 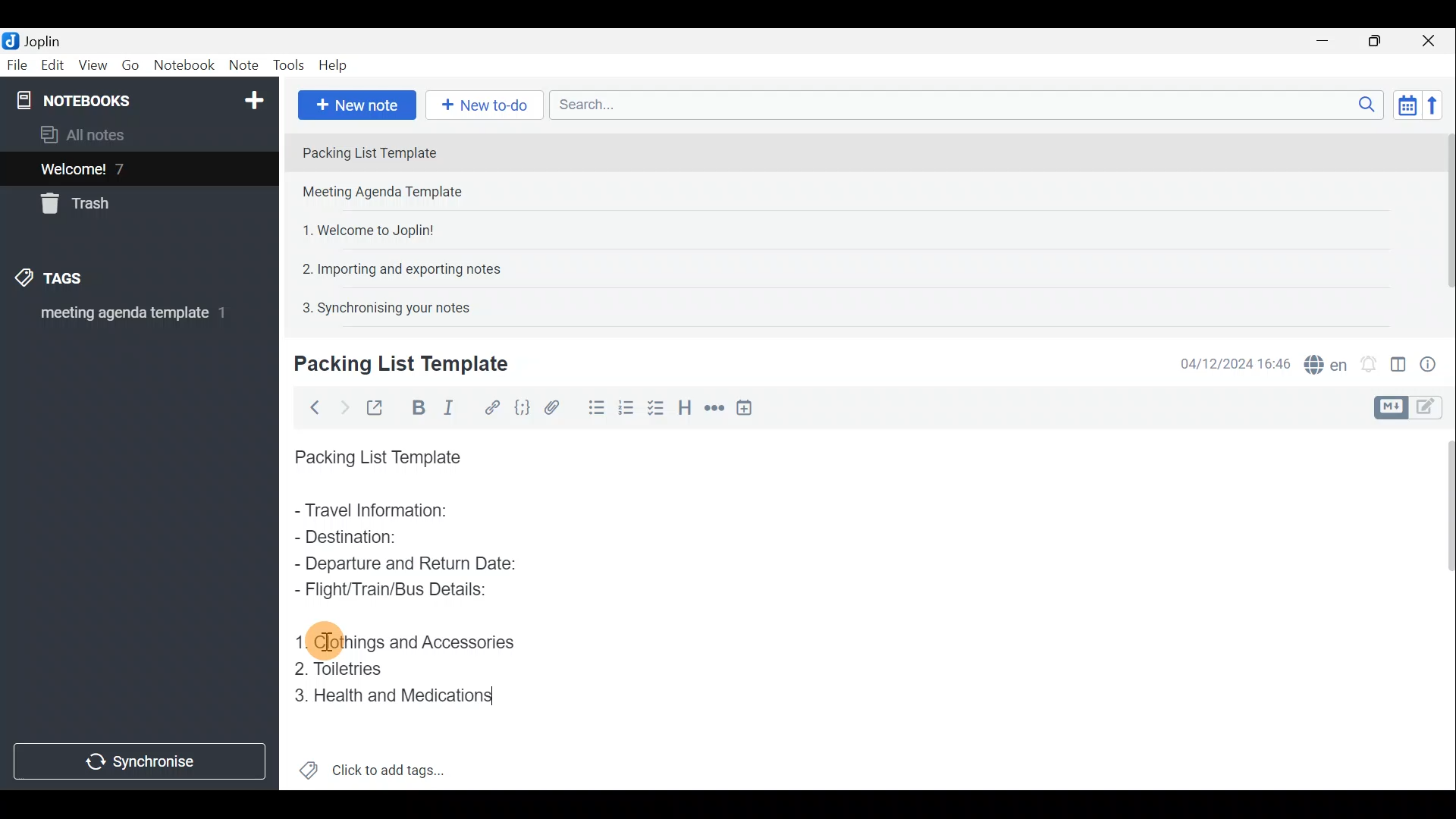 I want to click on Attach file, so click(x=552, y=406).